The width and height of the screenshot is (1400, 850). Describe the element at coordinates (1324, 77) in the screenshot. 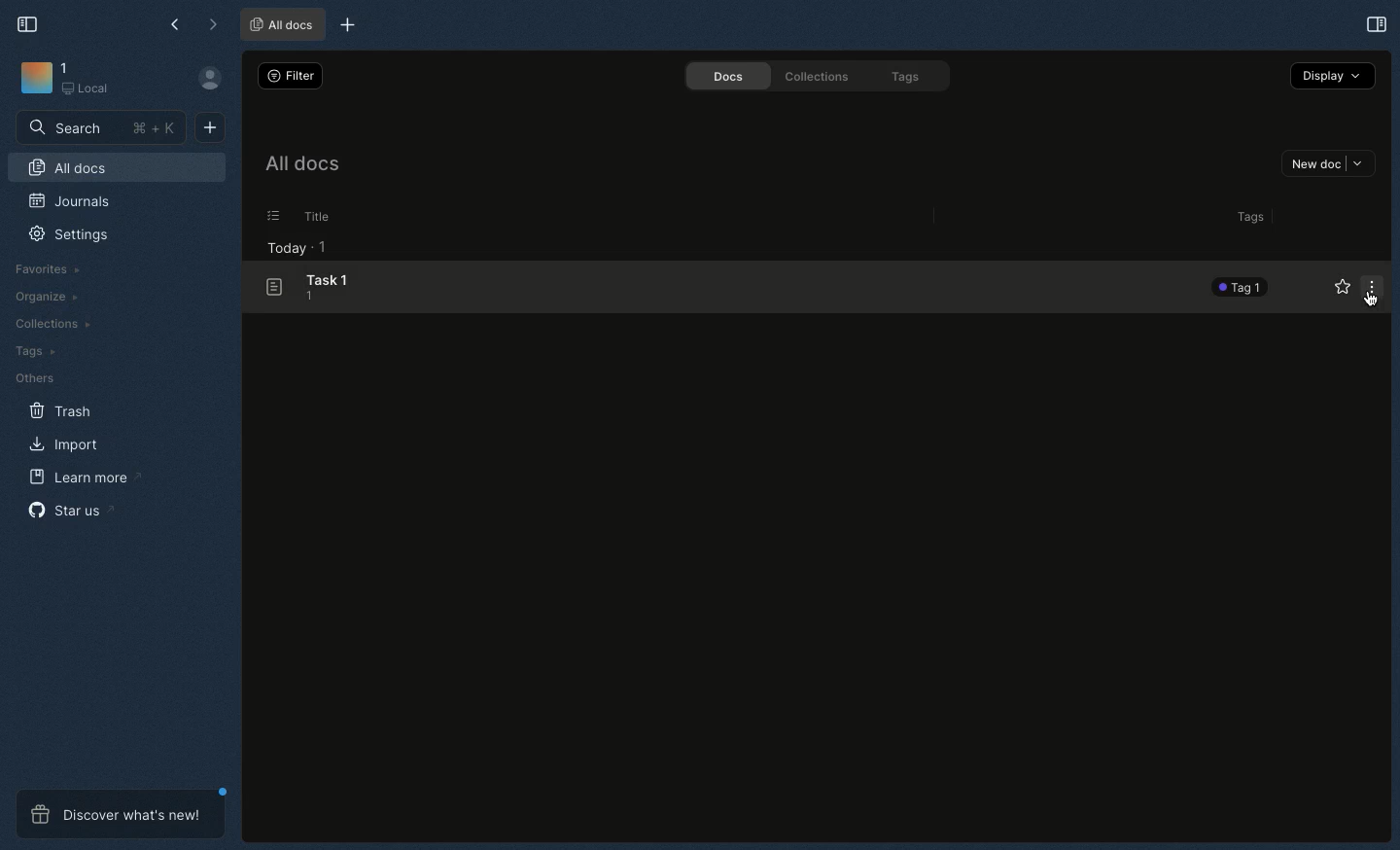

I see `Display` at that location.